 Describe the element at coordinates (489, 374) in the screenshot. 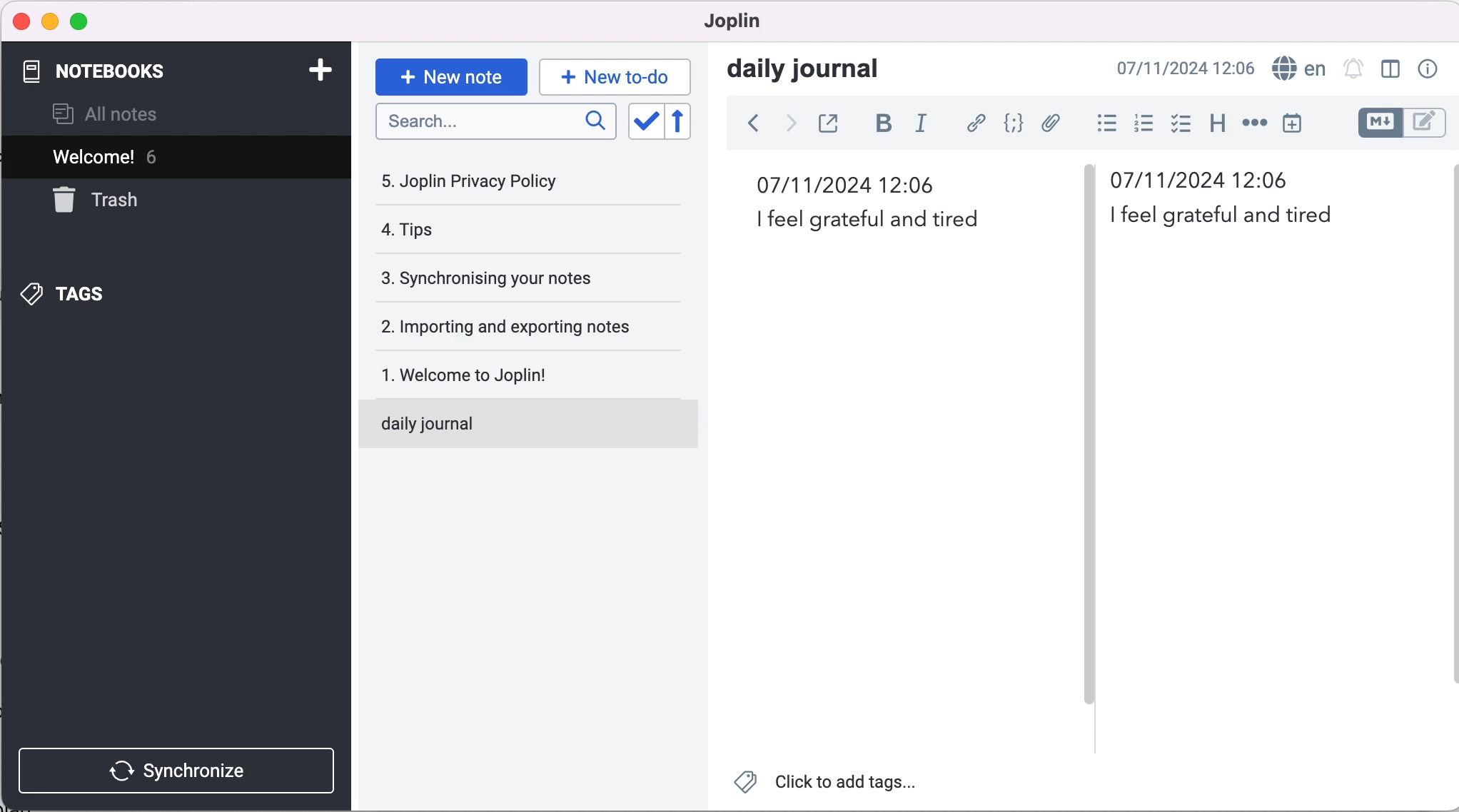

I see `welcome to joplin!` at that location.